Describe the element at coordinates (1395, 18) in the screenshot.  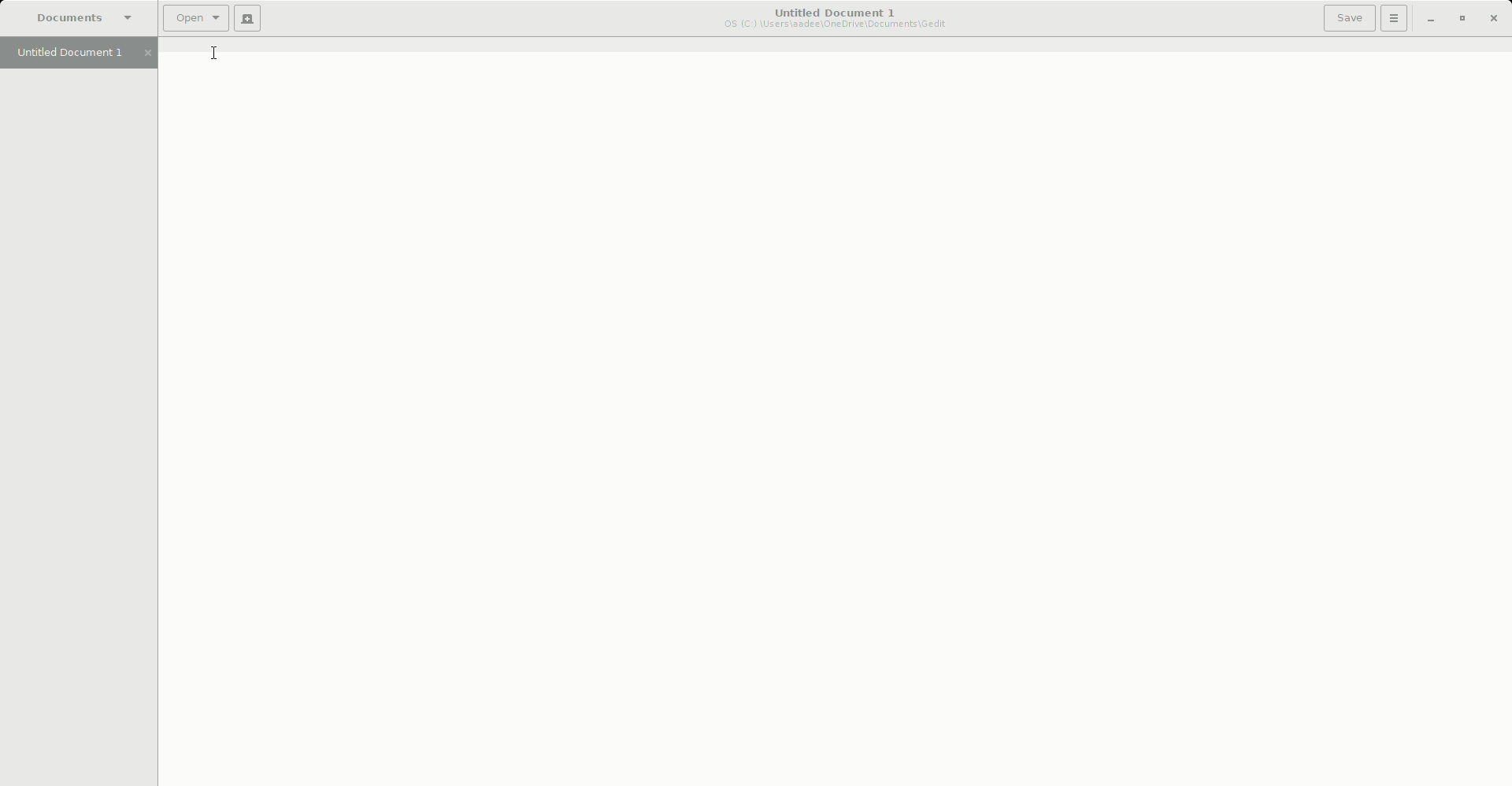
I see `Options` at that location.